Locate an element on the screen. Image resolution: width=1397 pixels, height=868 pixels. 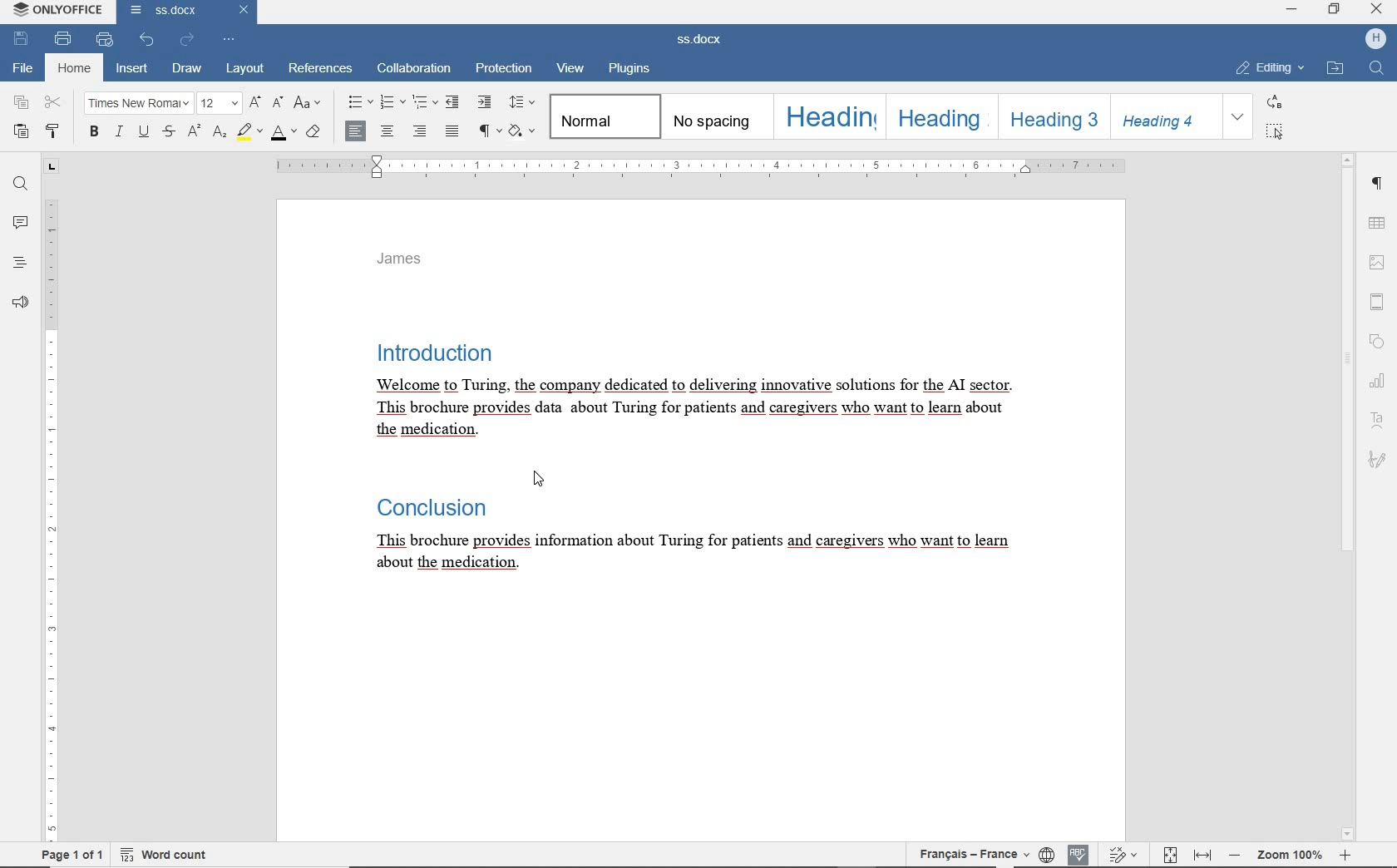
FONT COLOR is located at coordinates (283, 135).